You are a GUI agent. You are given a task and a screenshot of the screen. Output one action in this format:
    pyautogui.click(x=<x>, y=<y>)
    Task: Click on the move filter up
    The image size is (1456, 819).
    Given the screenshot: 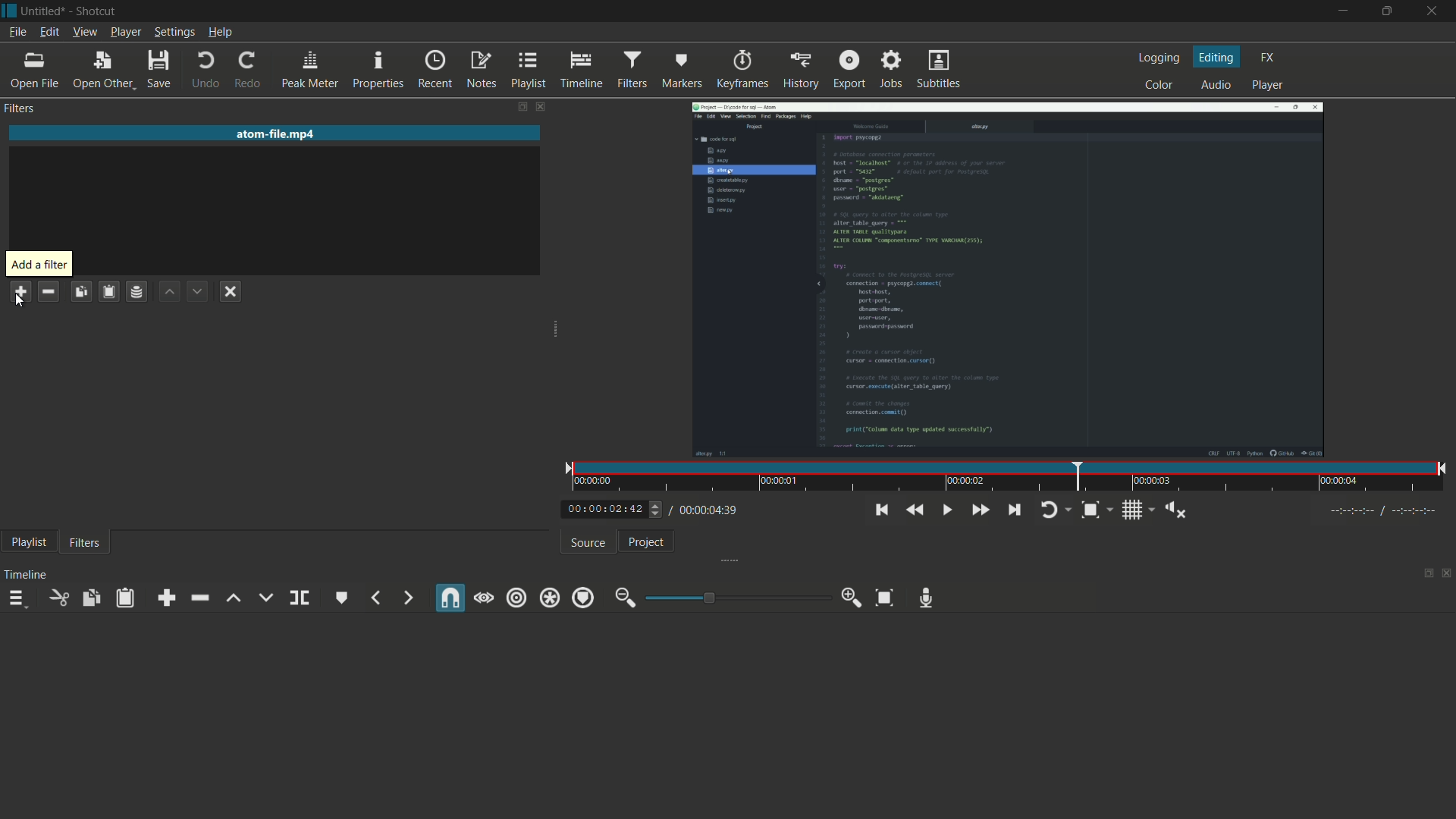 What is the action you would take?
    pyautogui.click(x=169, y=293)
    